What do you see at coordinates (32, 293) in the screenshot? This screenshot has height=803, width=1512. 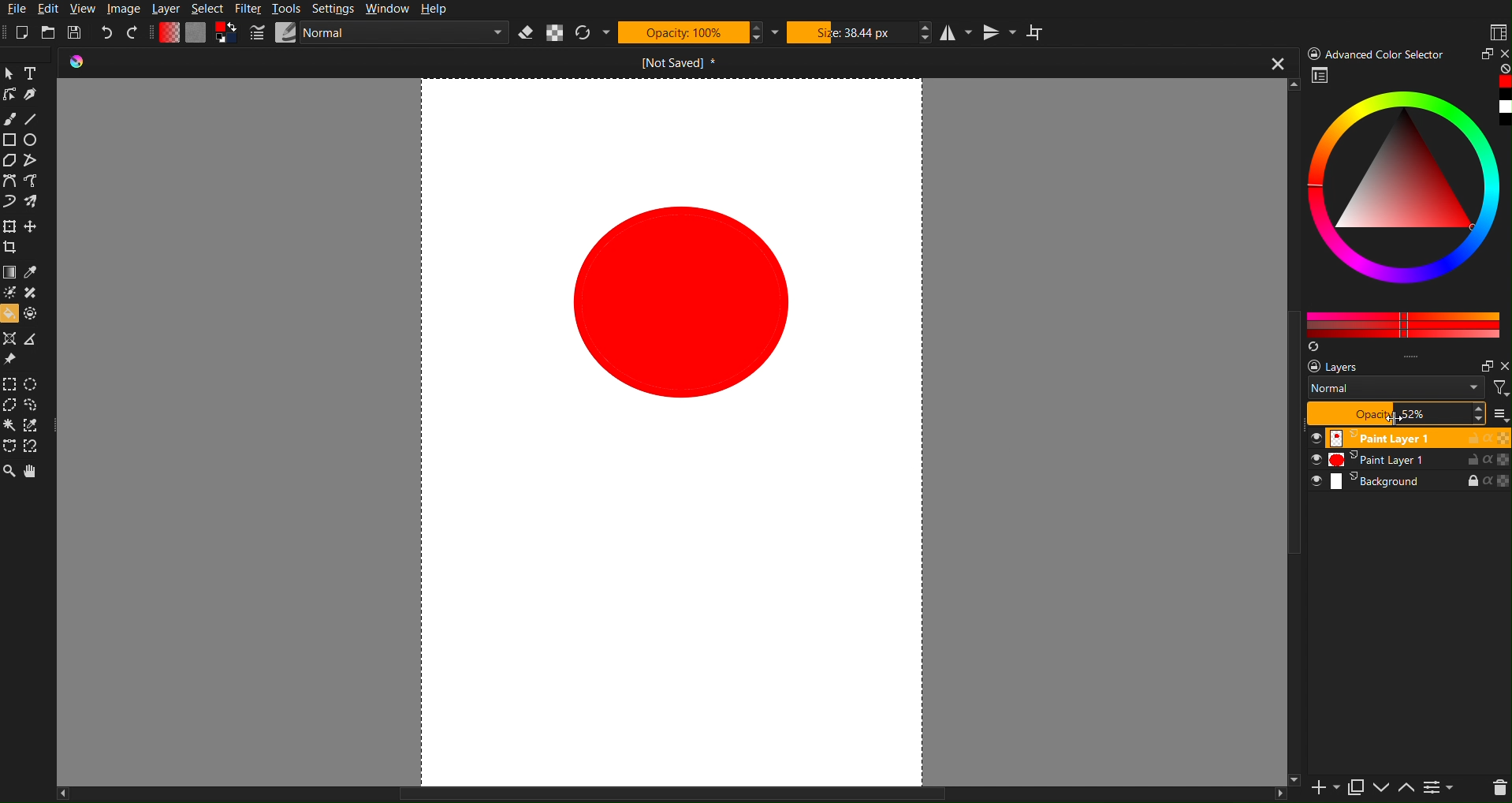 I see `Smart Patch` at bounding box center [32, 293].